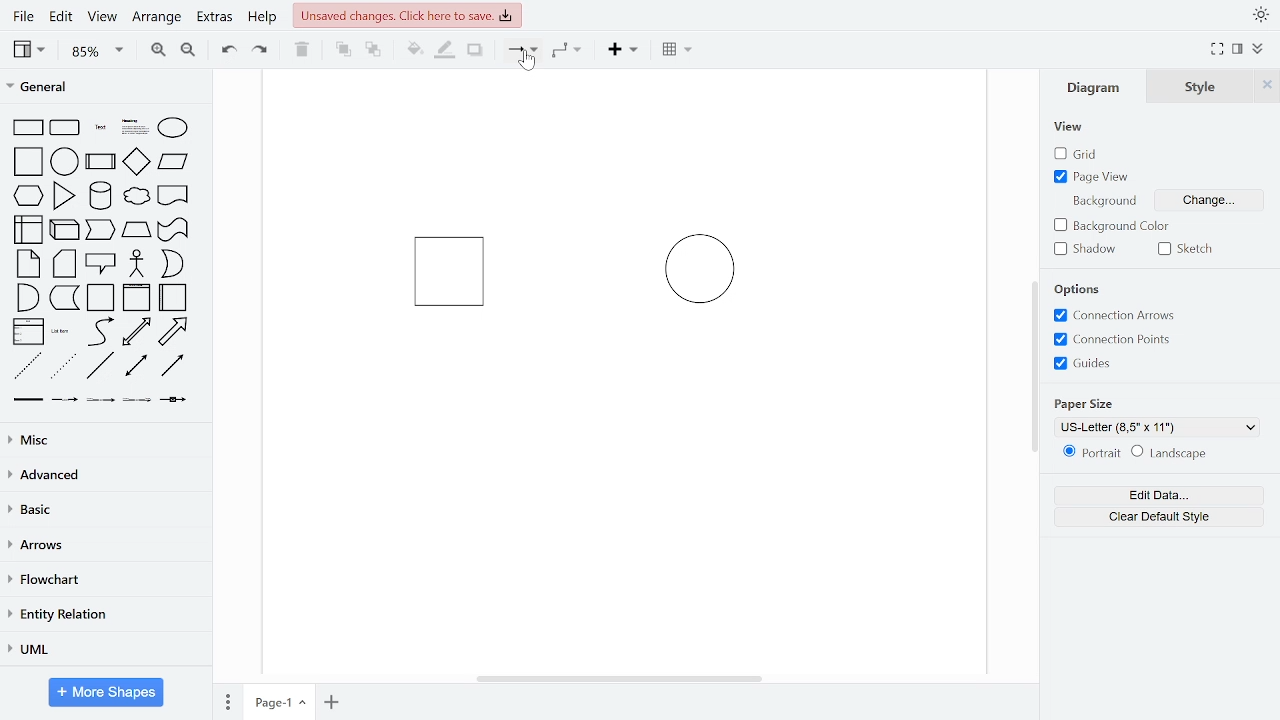  Describe the element at coordinates (226, 699) in the screenshot. I see `pages` at that location.